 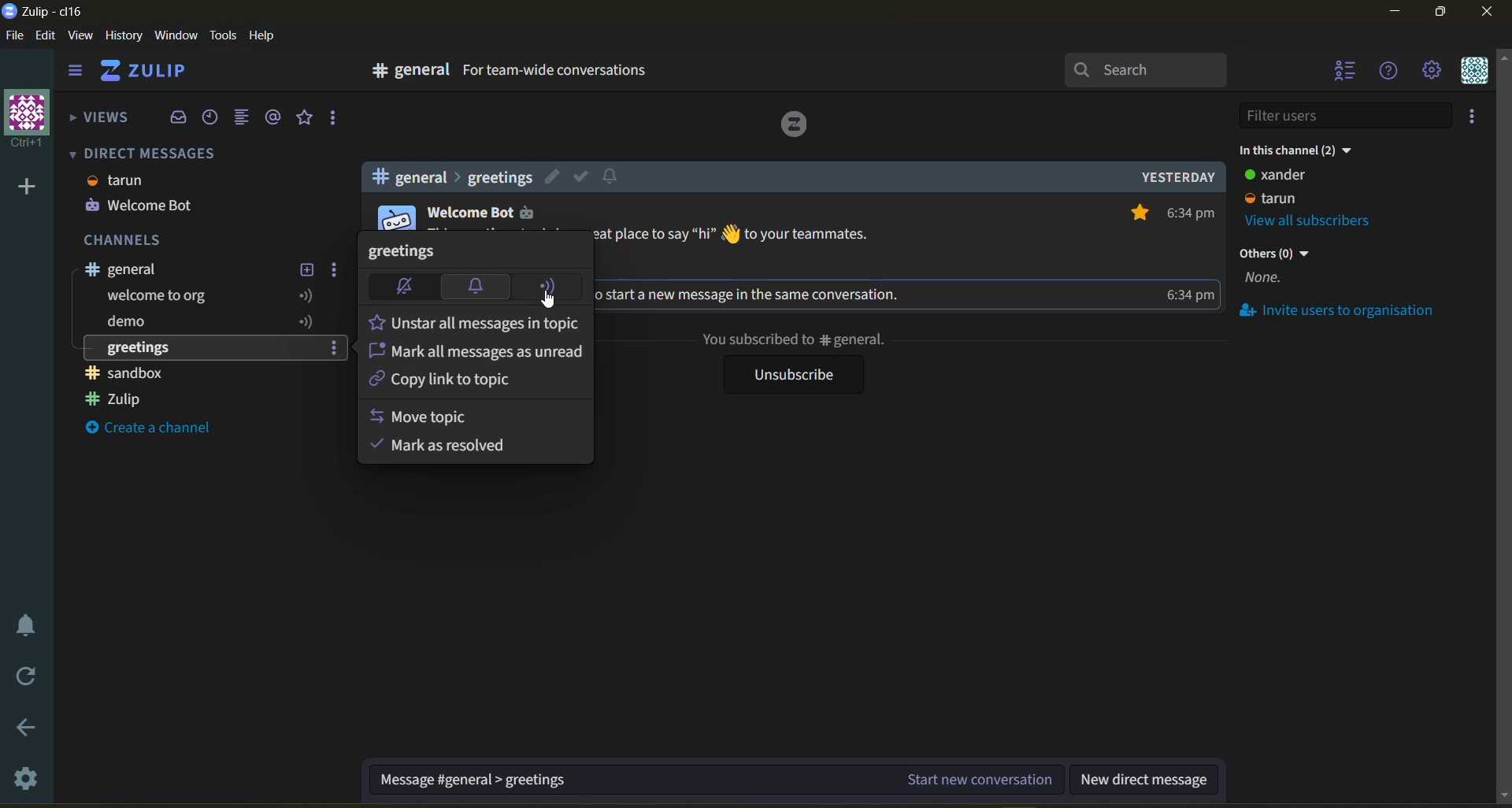 I want to click on default, so click(x=482, y=286).